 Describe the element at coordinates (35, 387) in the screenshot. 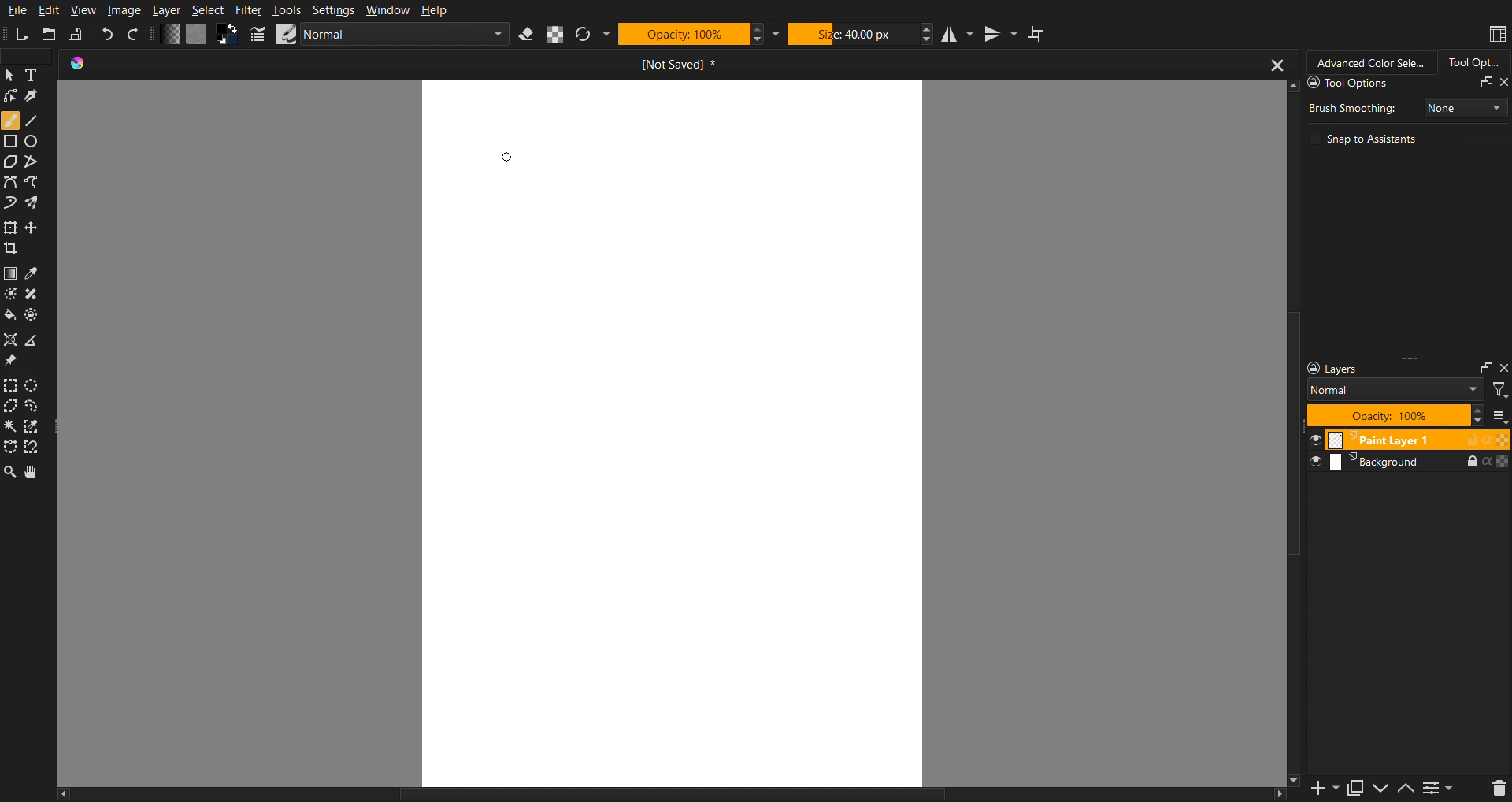

I see `Ellipse Marquee Tool` at that location.